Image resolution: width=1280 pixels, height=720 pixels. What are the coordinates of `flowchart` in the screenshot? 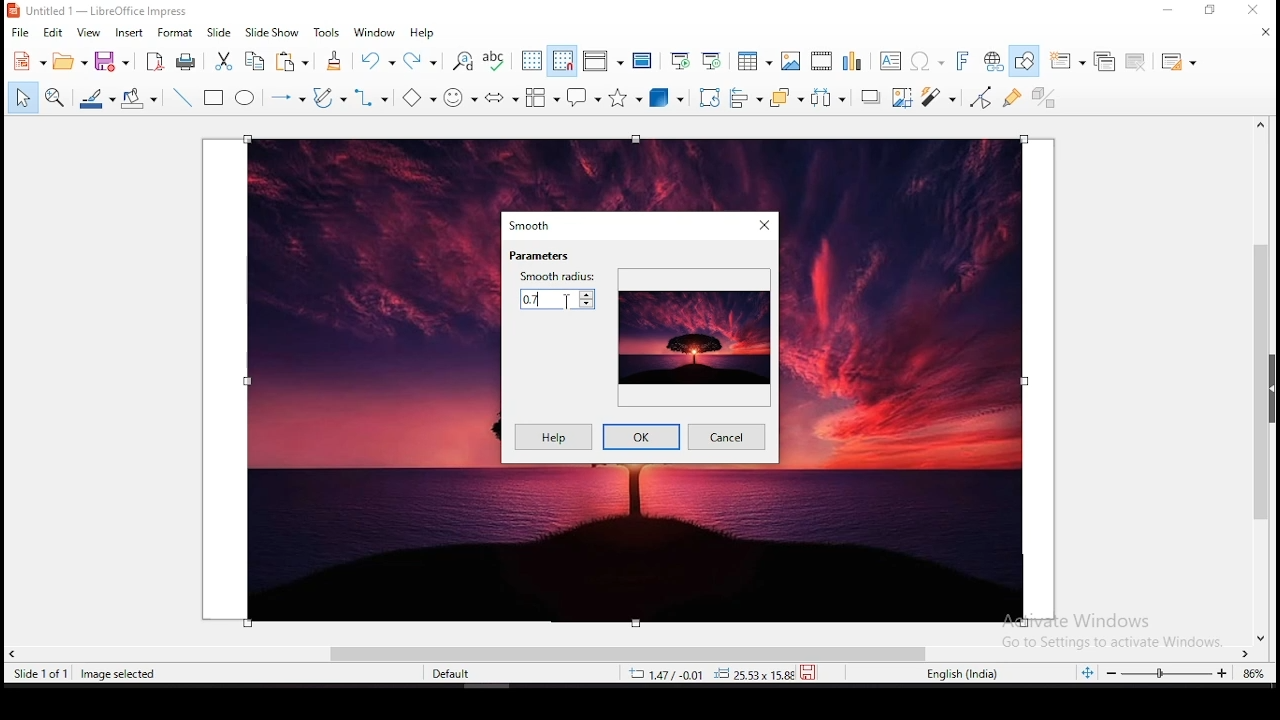 It's located at (541, 97).